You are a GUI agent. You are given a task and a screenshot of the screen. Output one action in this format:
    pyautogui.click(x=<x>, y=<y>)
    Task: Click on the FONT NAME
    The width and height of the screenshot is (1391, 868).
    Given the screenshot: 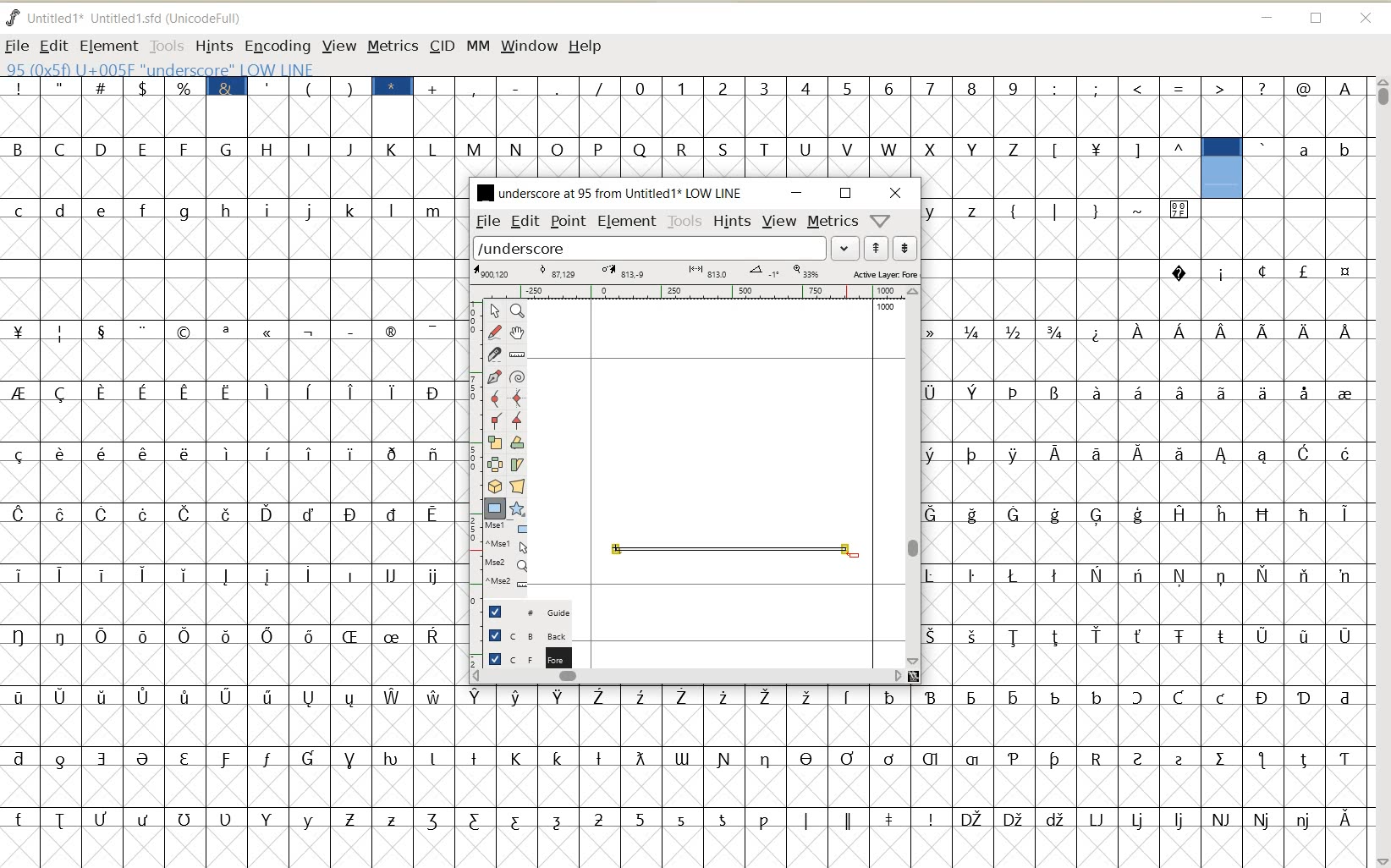 What is the action you would take?
    pyautogui.click(x=138, y=18)
    